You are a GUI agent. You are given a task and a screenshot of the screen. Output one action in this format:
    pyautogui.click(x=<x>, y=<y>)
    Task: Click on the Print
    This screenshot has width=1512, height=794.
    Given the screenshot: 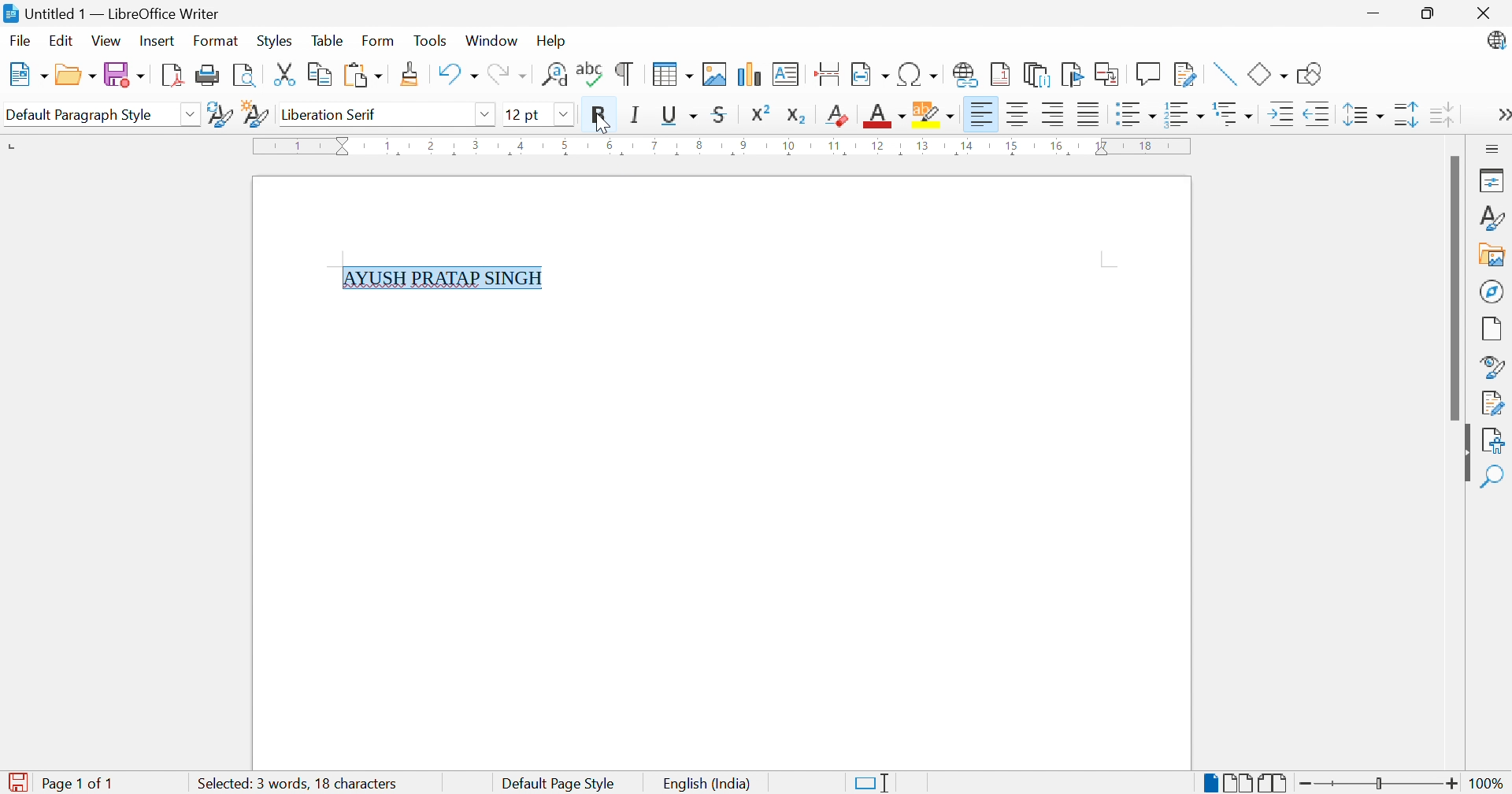 What is the action you would take?
    pyautogui.click(x=206, y=76)
    